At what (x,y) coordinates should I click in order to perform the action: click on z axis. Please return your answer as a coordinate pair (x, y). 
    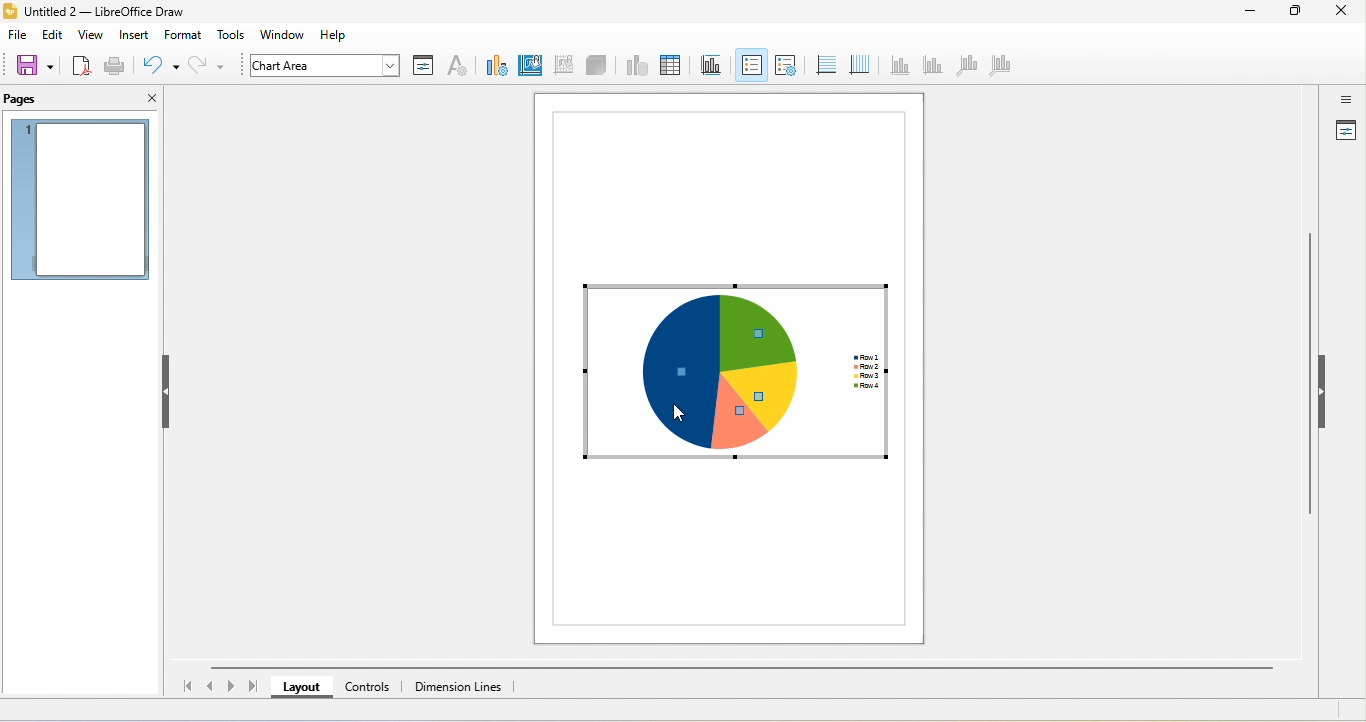
    Looking at the image, I should click on (964, 65).